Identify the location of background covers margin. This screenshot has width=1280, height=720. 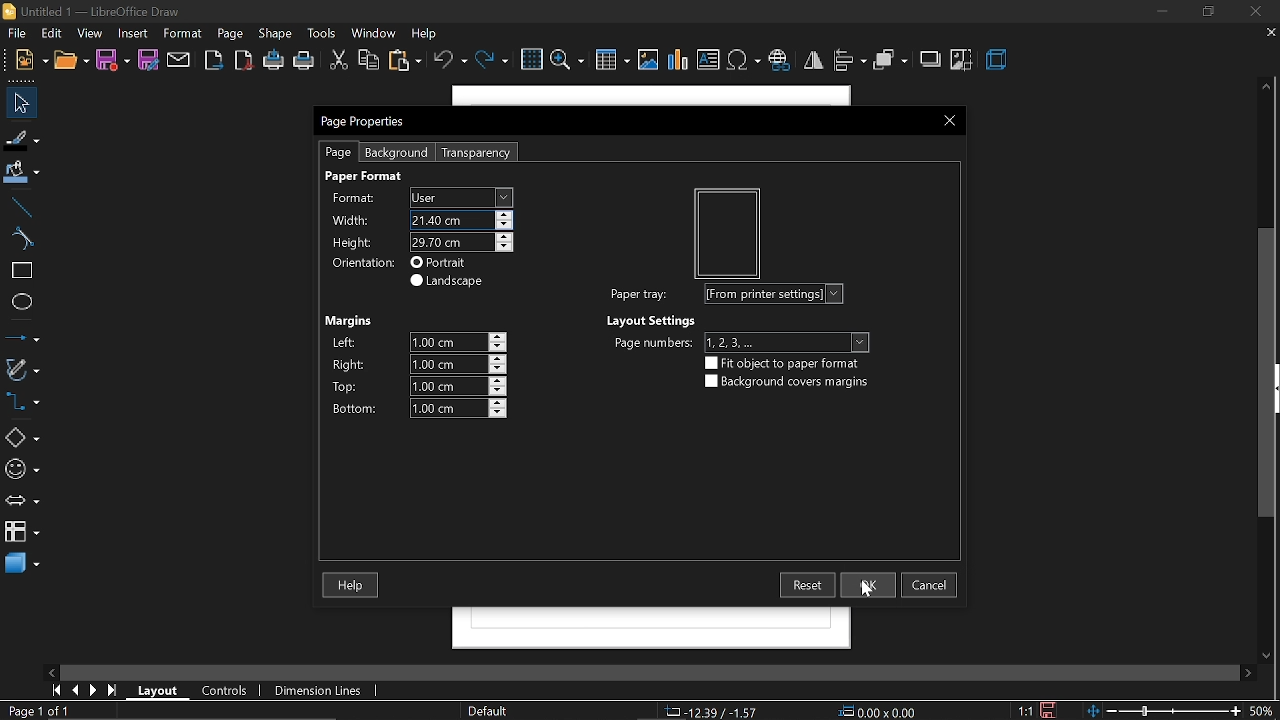
(789, 381).